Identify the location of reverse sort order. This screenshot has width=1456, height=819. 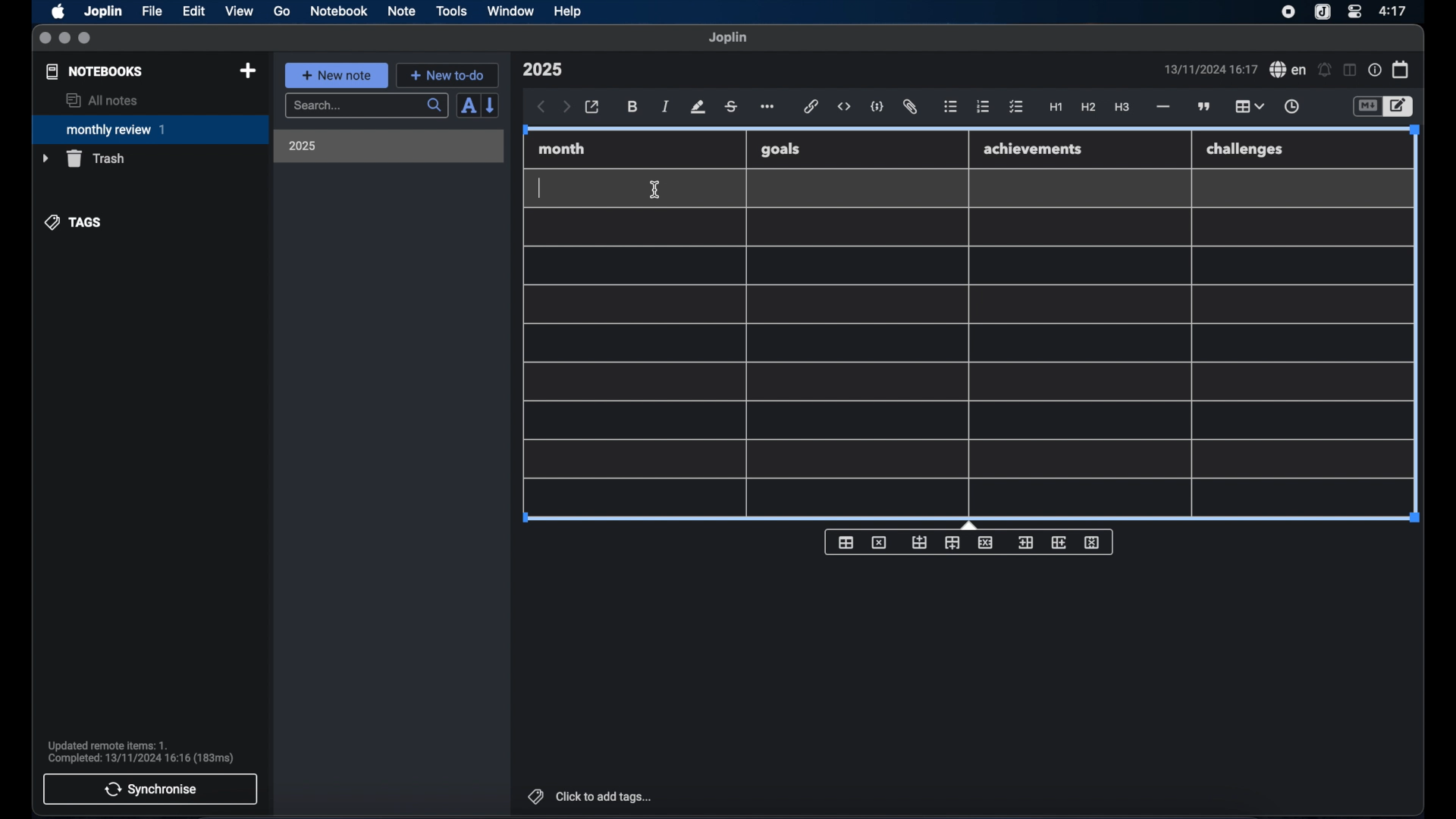
(491, 105).